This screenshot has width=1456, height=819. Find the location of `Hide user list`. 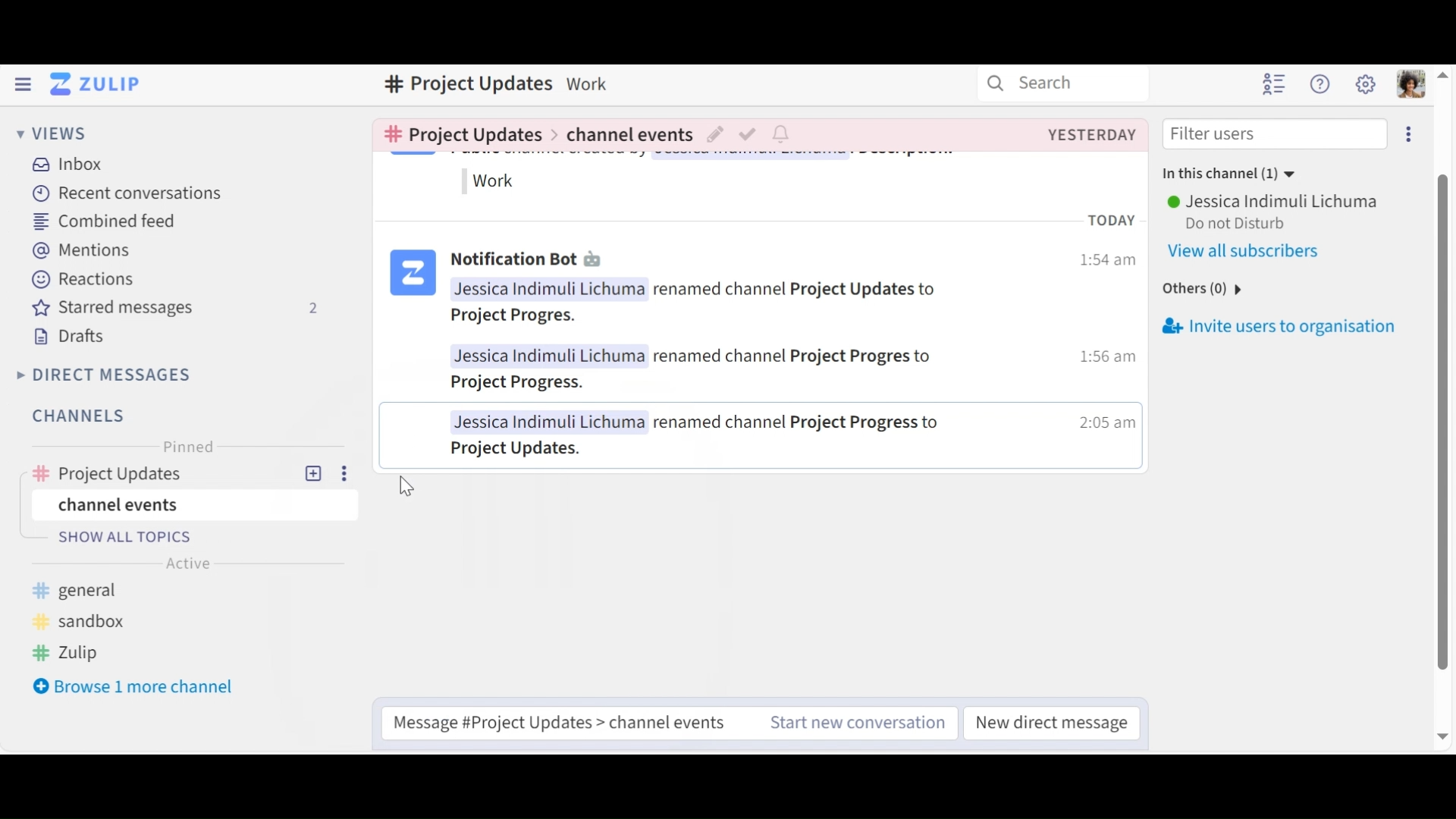

Hide user list is located at coordinates (1276, 83).